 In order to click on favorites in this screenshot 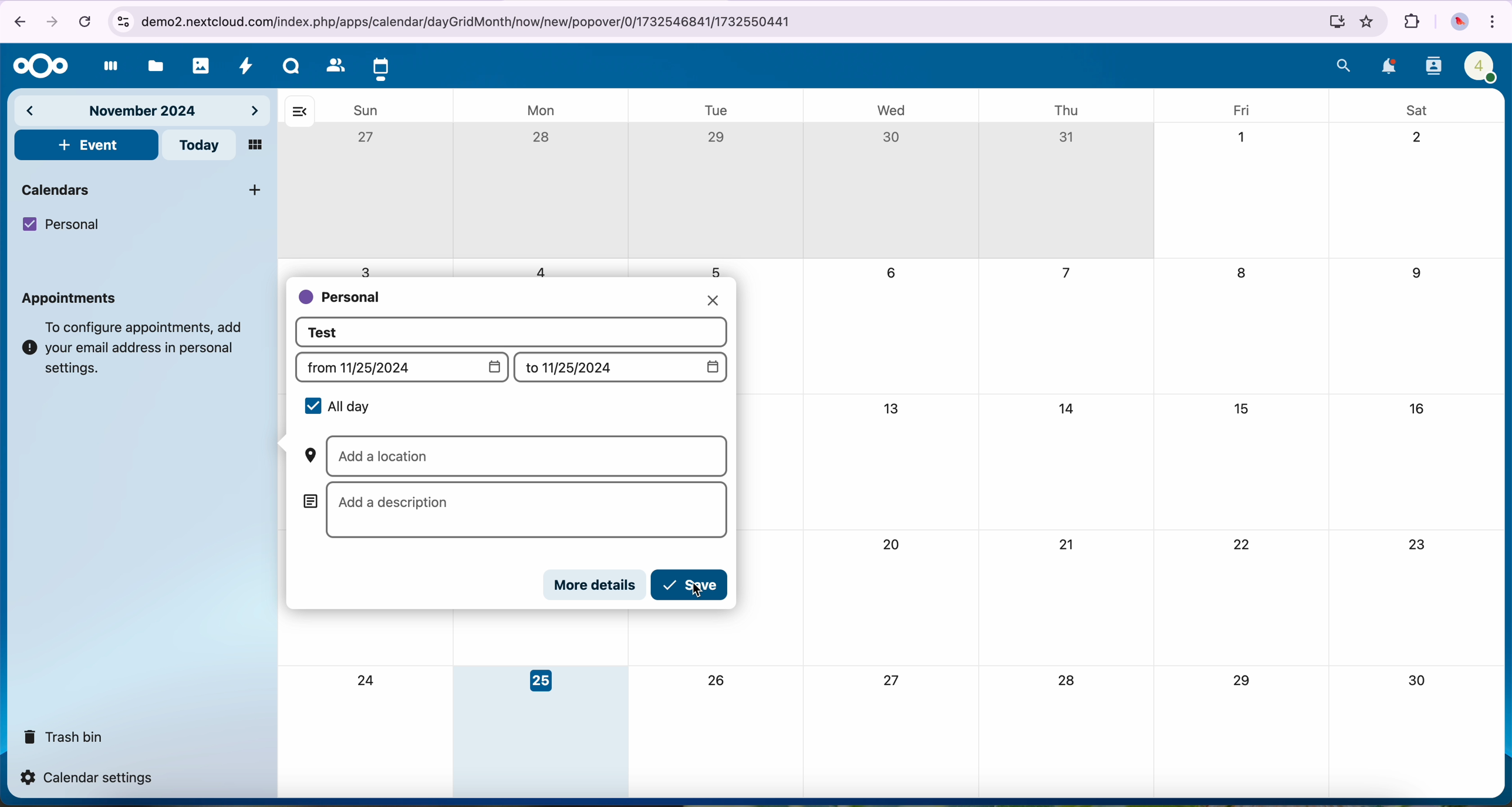, I will do `click(1366, 23)`.